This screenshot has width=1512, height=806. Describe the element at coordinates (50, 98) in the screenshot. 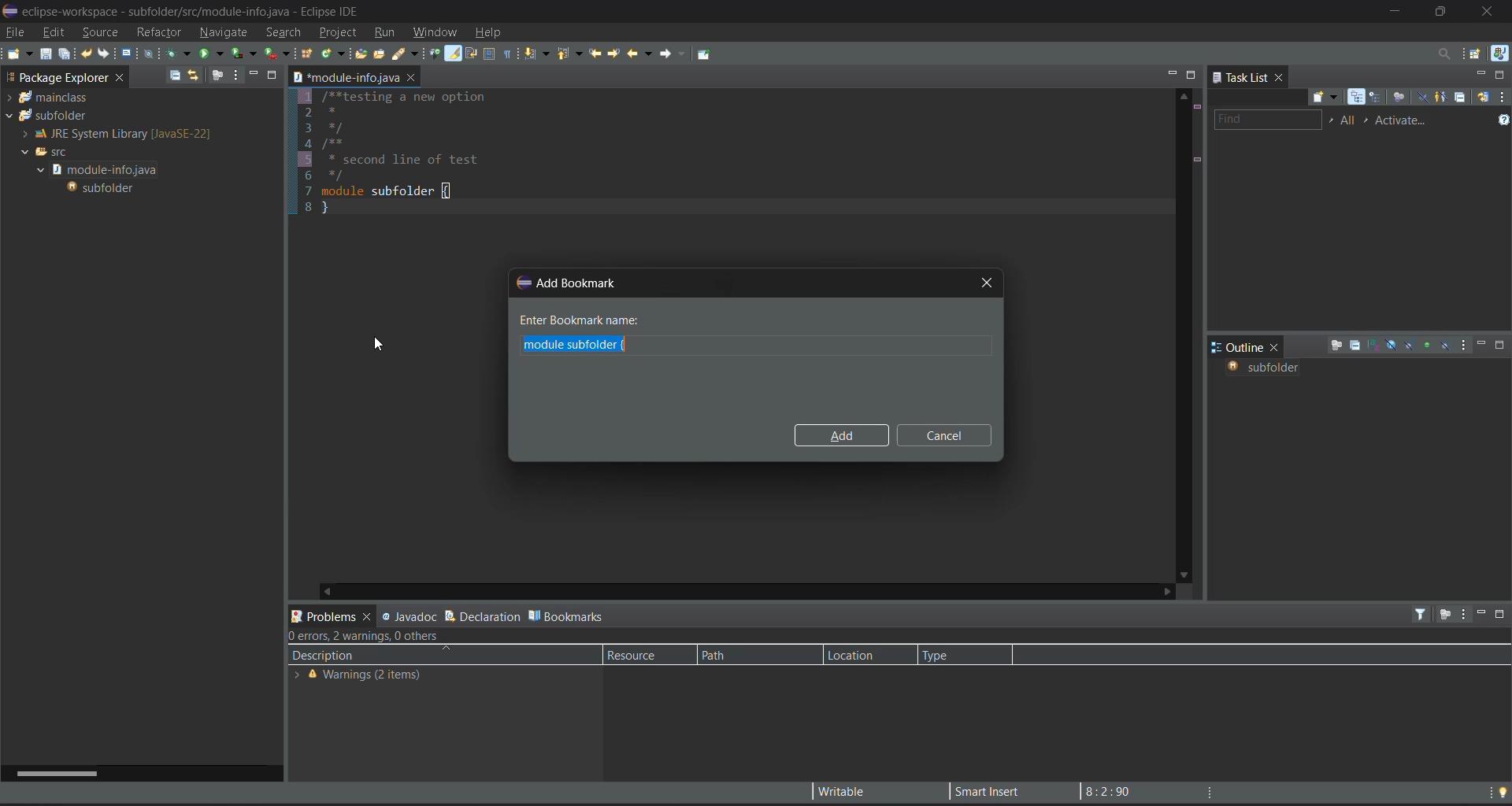

I see `mainclass` at that location.